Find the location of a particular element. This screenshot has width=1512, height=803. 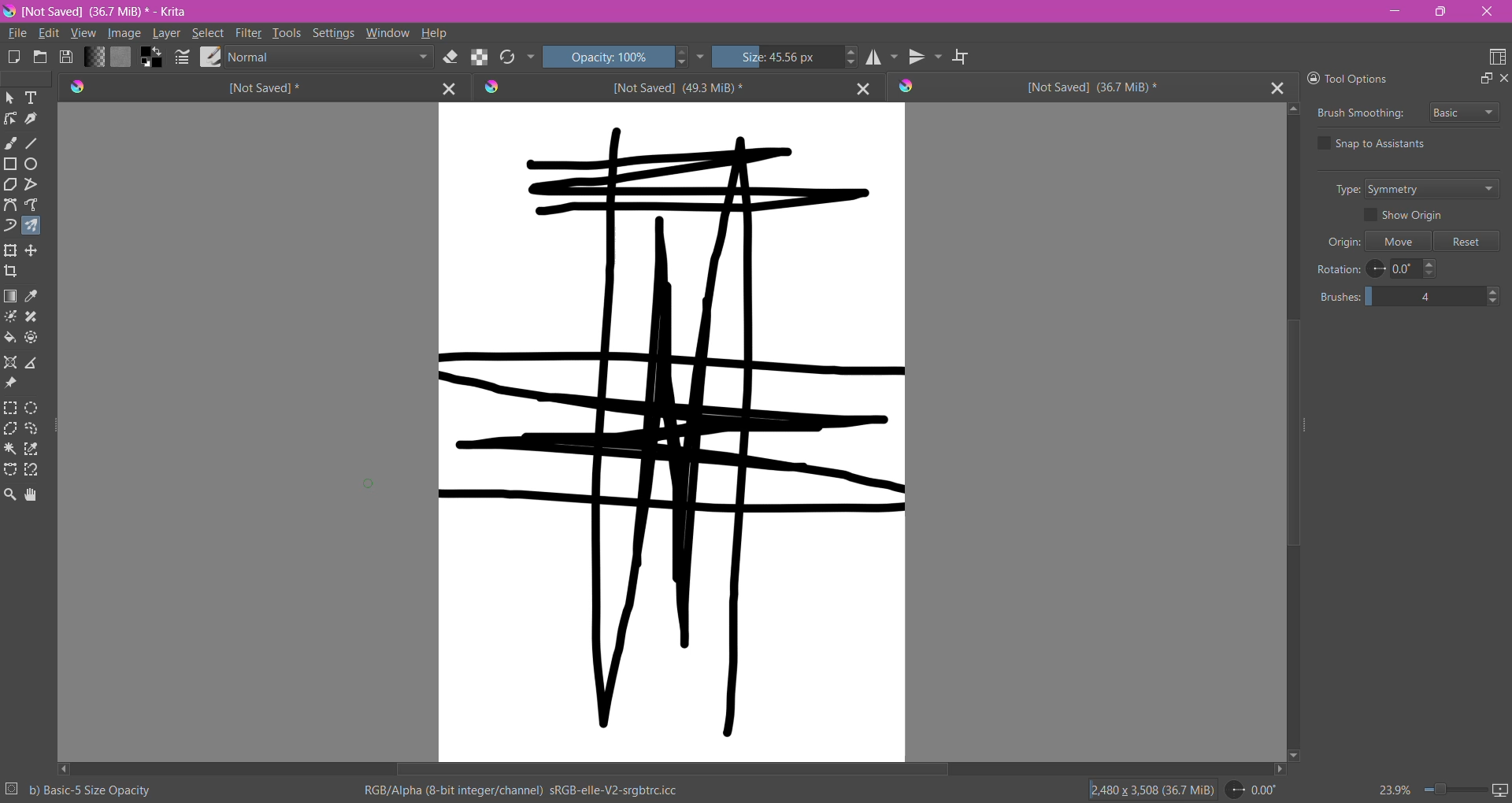

Bezier Curve Selection Tool is located at coordinates (11, 470).